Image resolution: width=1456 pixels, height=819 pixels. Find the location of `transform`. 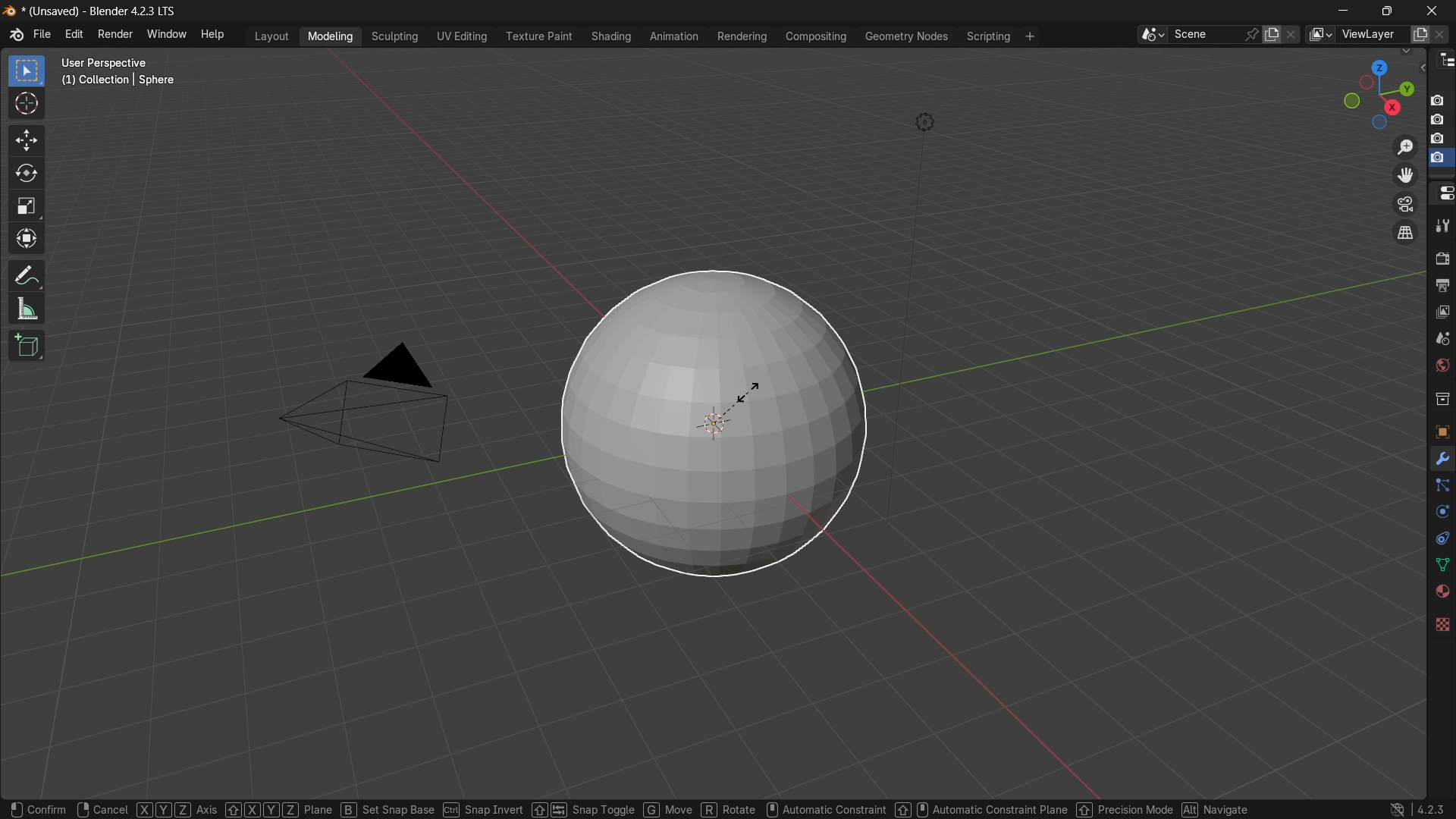

transform is located at coordinates (27, 240).